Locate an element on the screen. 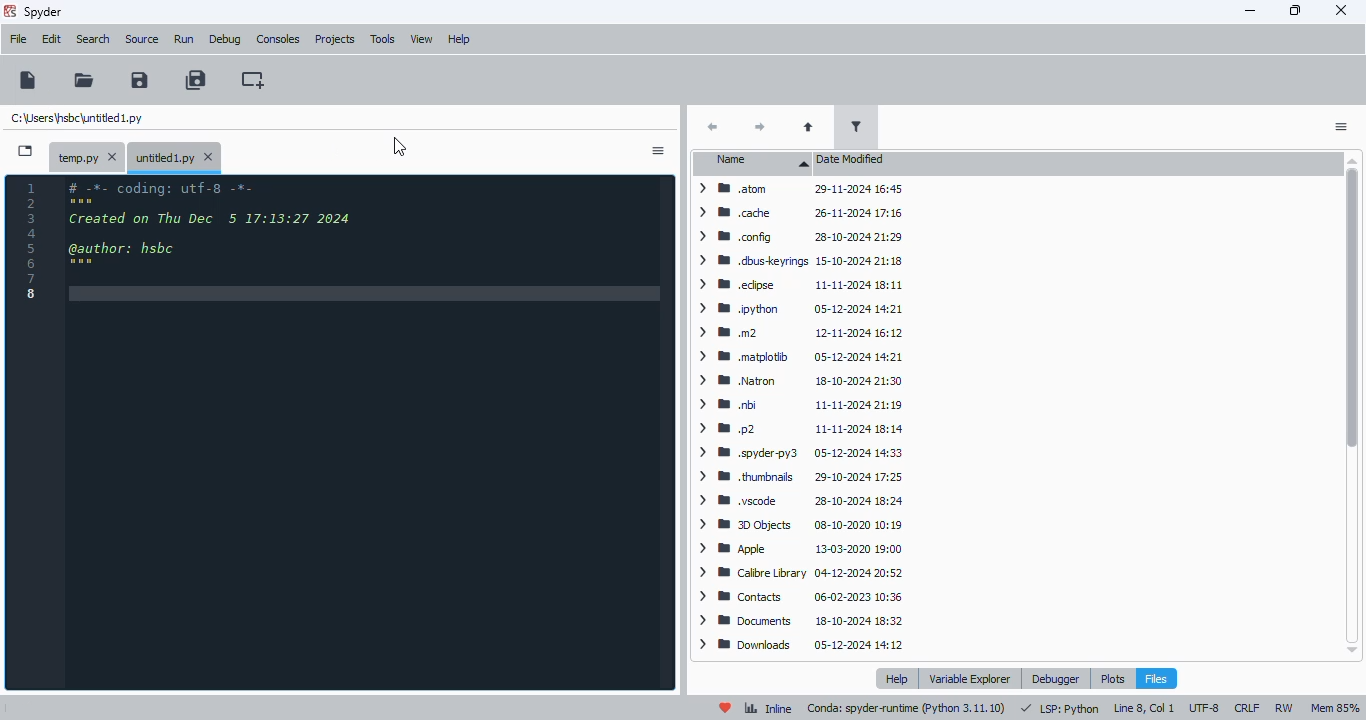  plots is located at coordinates (1112, 678).